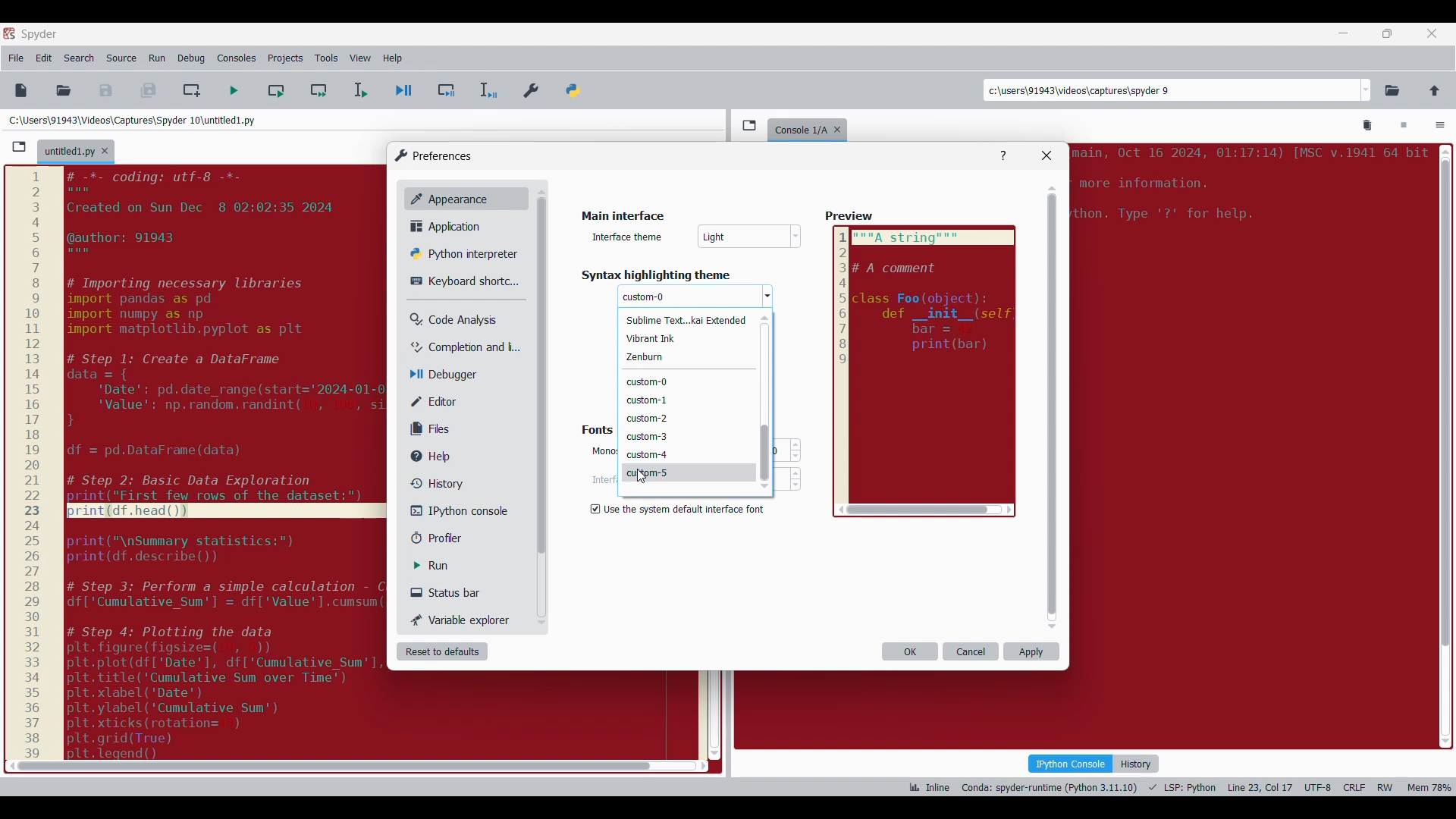 This screenshot has width=1456, height=819. Describe the element at coordinates (749, 125) in the screenshot. I see `Browse tabs` at that location.